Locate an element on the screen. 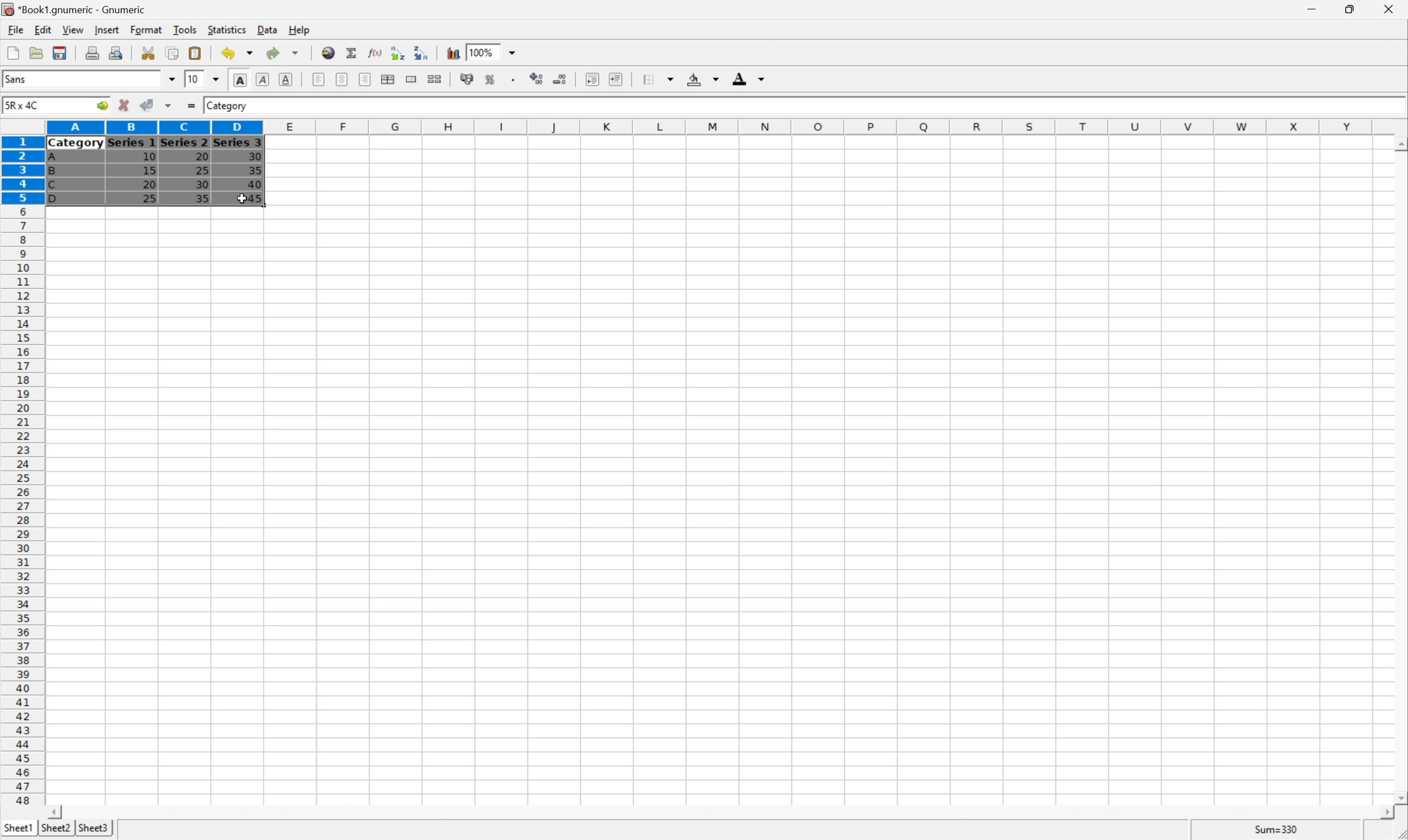  Cancel changes is located at coordinates (124, 103).